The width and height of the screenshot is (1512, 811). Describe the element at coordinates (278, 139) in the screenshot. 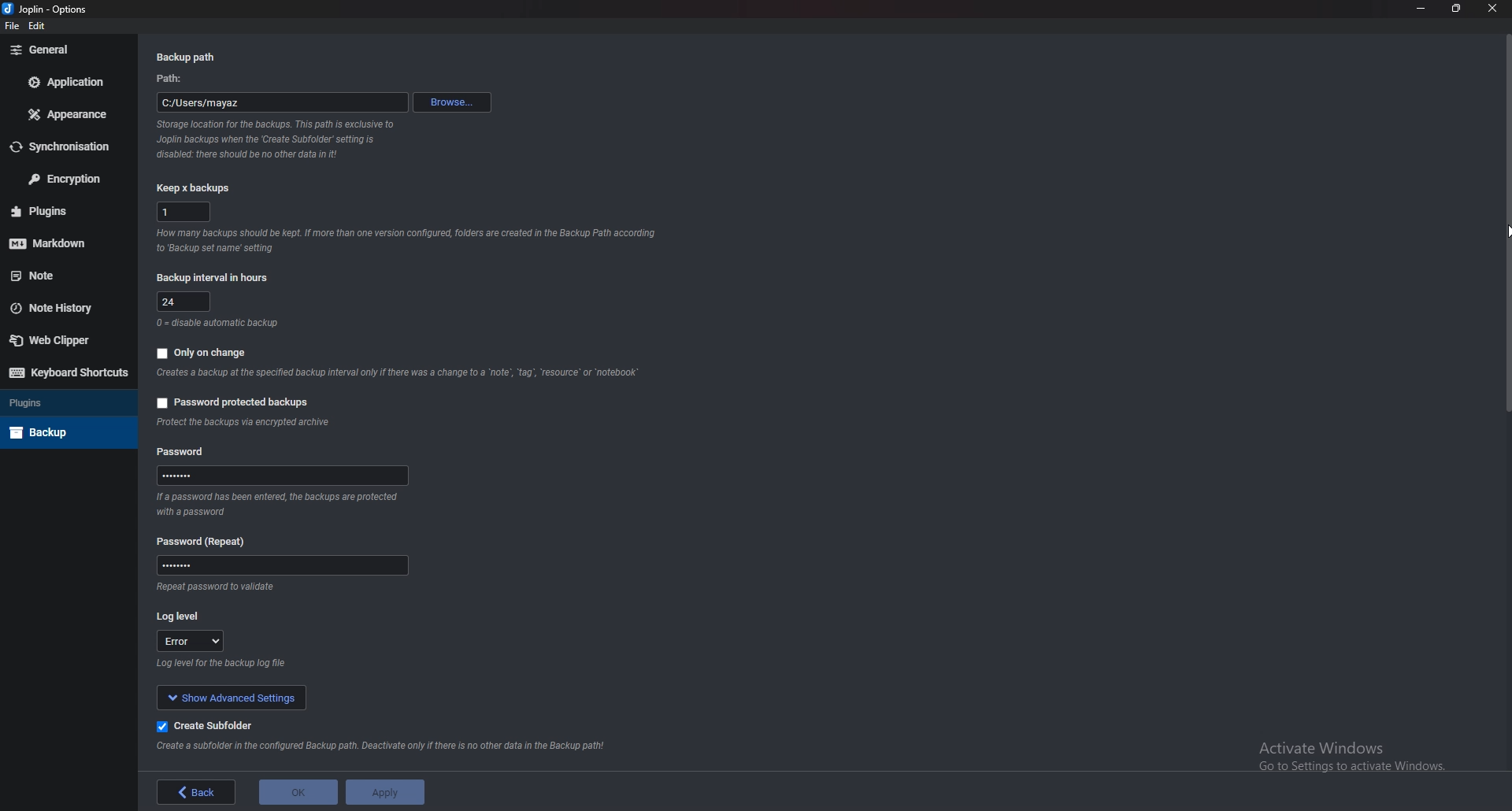

I see `info` at that location.